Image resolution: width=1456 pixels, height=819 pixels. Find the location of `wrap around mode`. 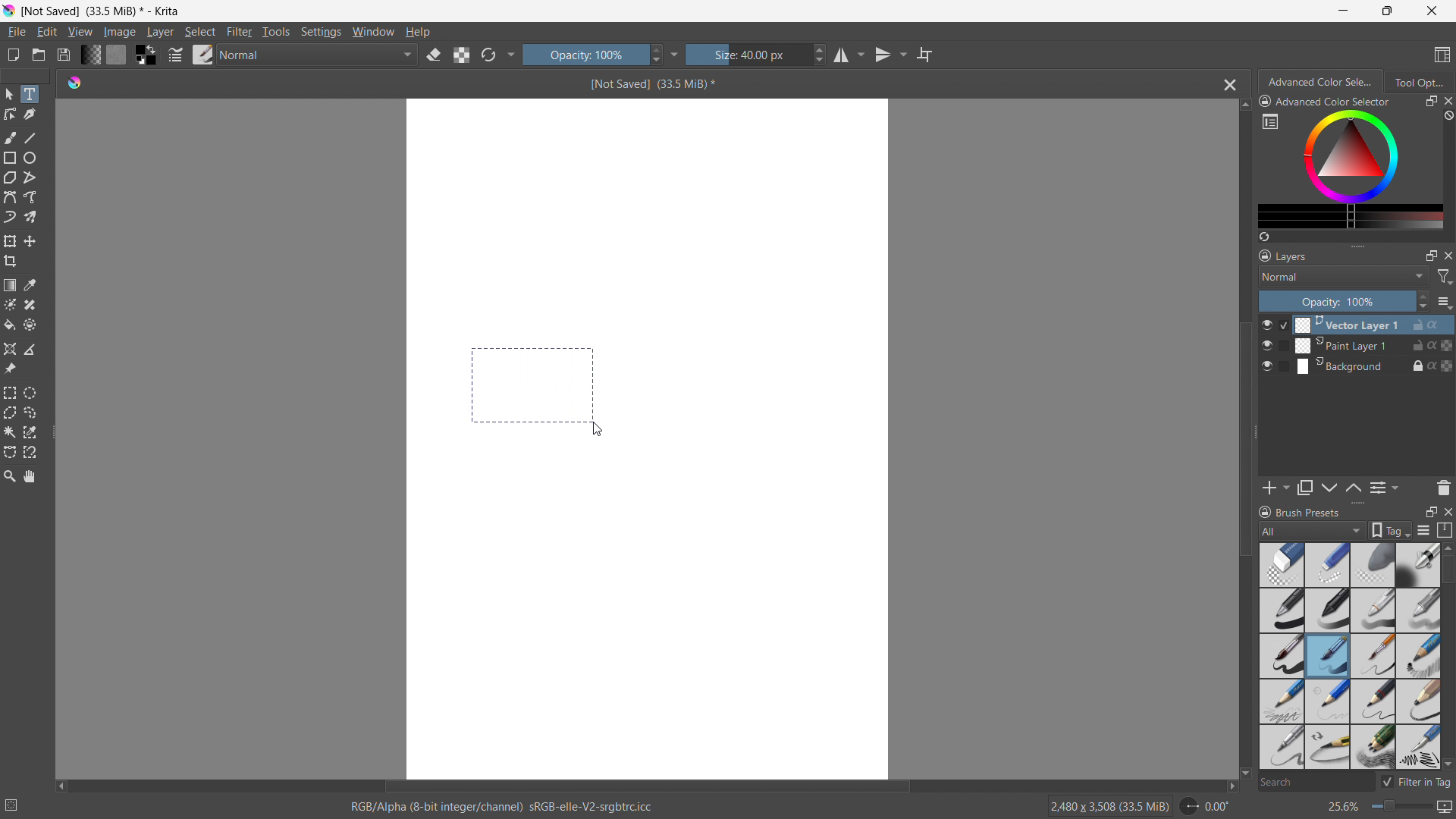

wrap around mode is located at coordinates (925, 54).